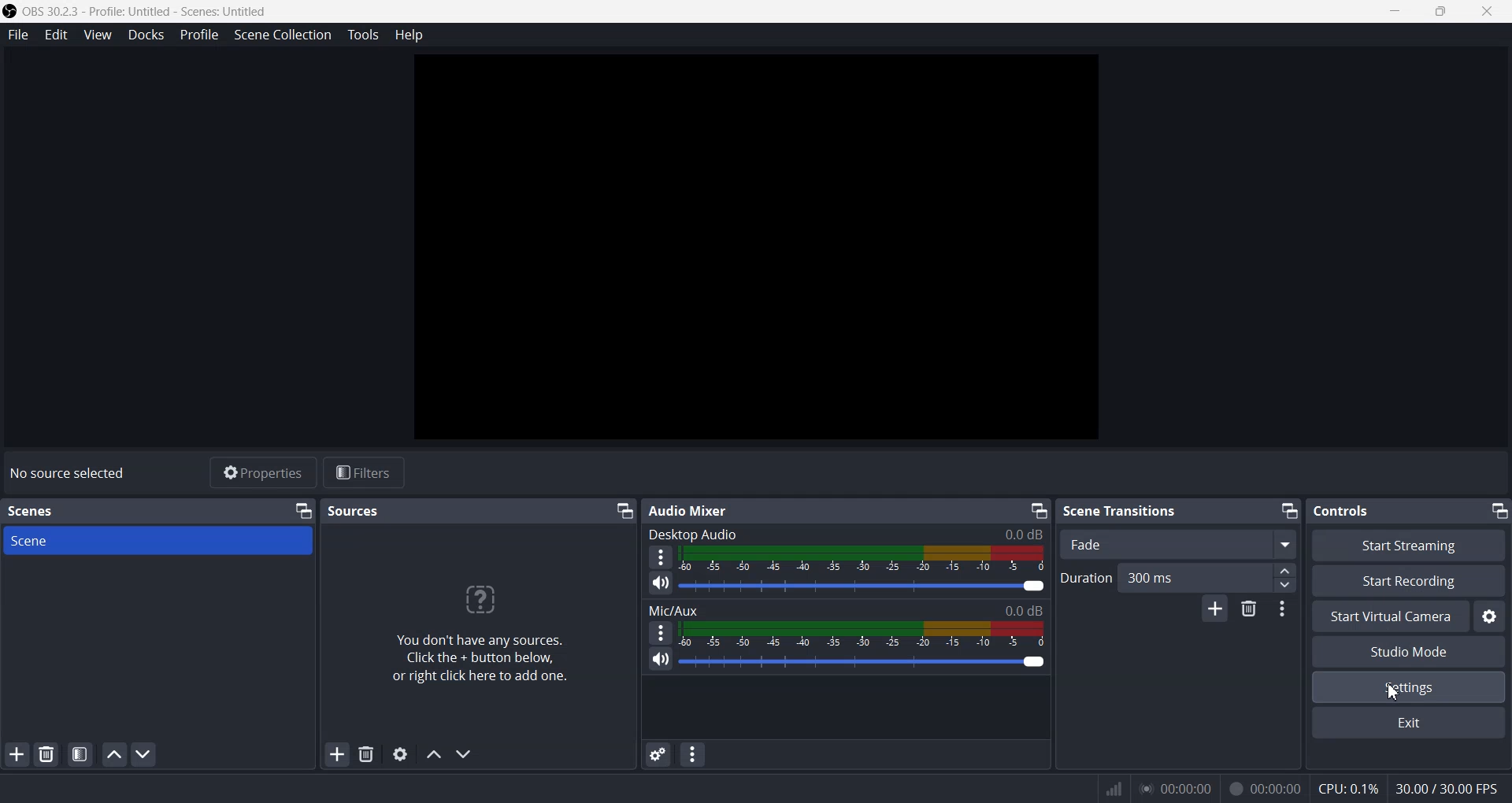 The height and width of the screenshot is (803, 1512). I want to click on ‘OBS 30.2.3 - Profile: Untitled - Scenes: Untitled, so click(137, 13).